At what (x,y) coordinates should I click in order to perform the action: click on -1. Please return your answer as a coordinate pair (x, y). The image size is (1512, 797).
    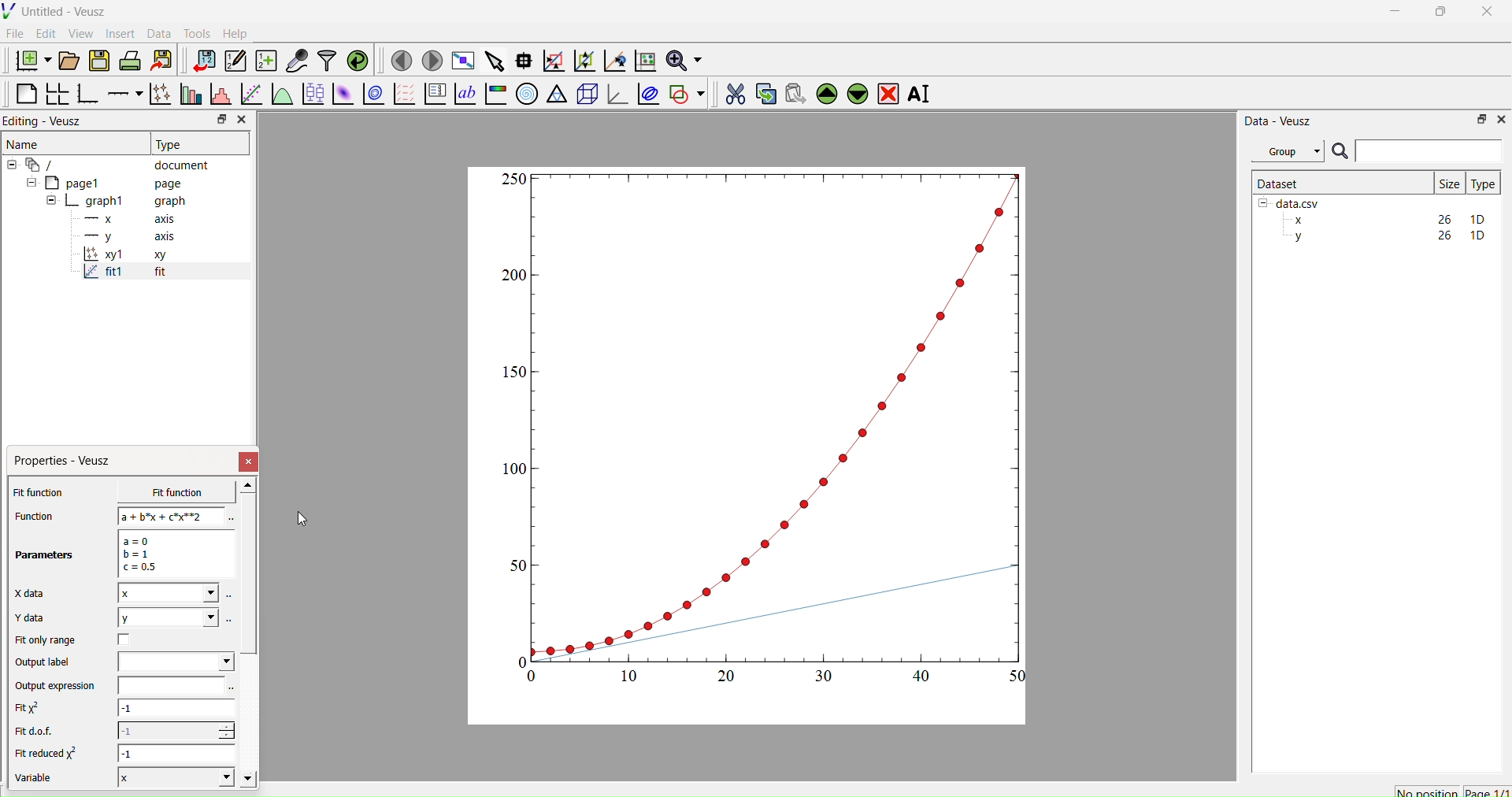
    Looking at the image, I should click on (176, 730).